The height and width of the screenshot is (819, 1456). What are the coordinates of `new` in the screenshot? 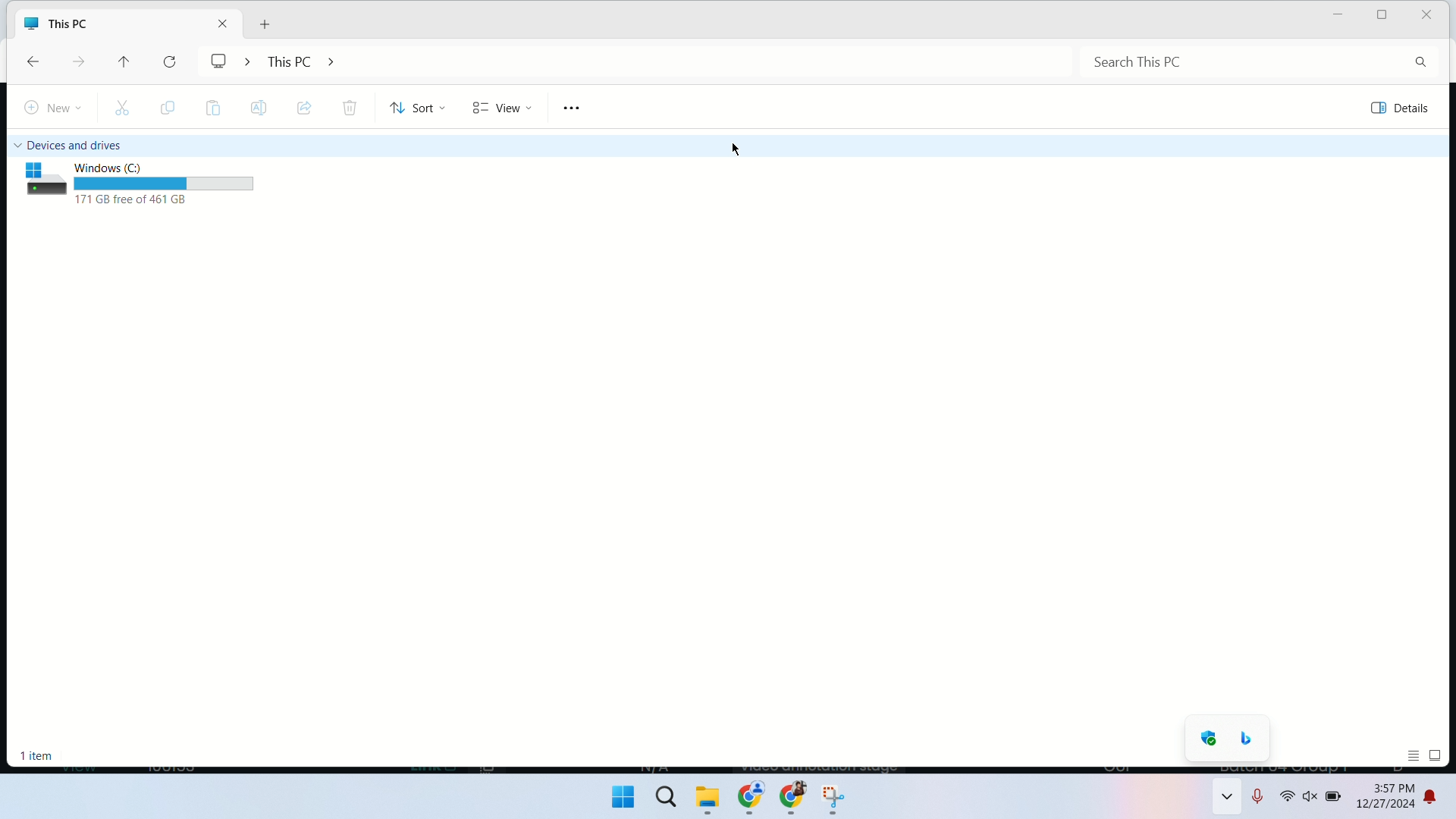 It's located at (49, 106).